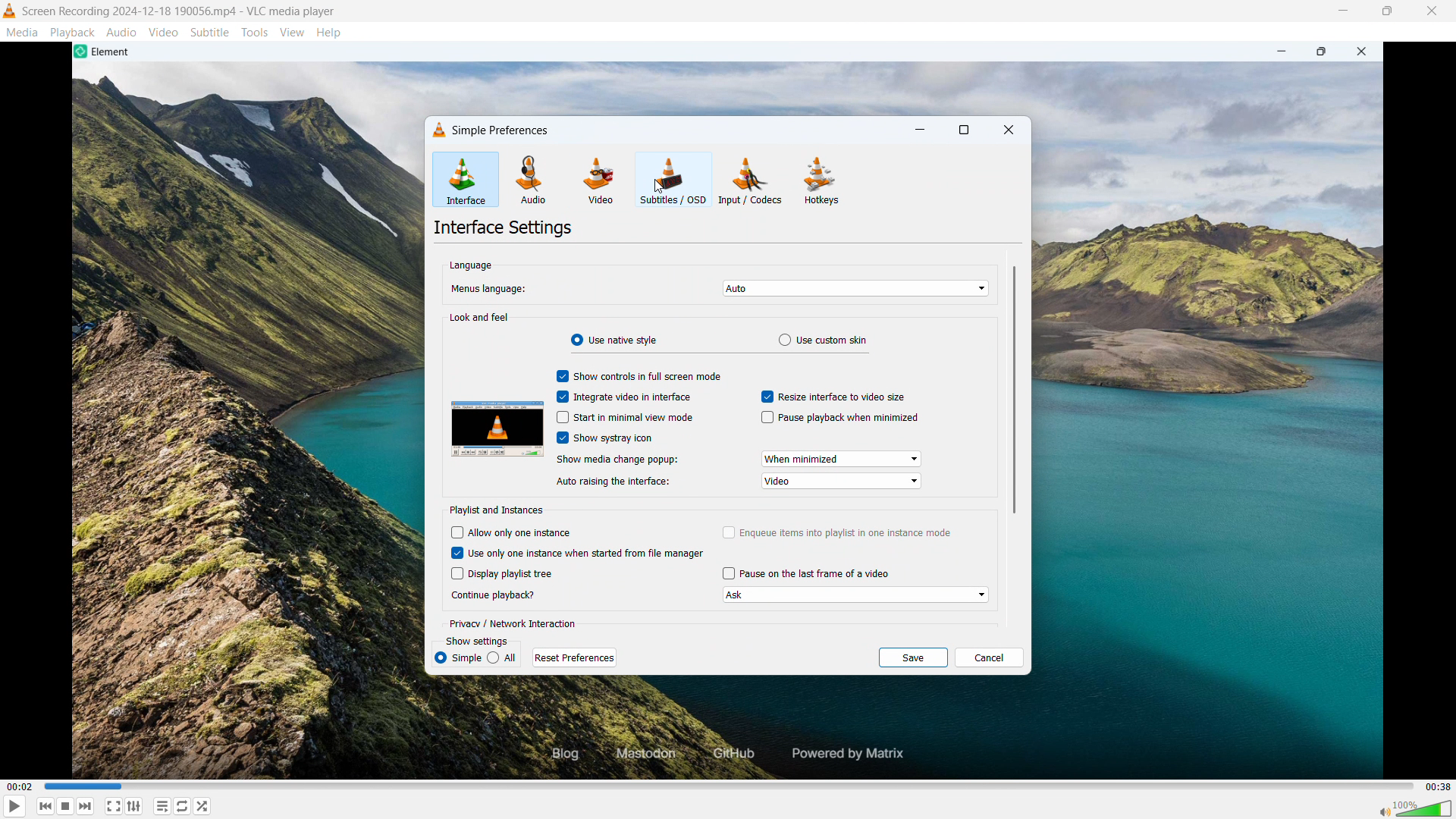 The width and height of the screenshot is (1456, 819). I want to click on Resize interface to video size , so click(847, 396).